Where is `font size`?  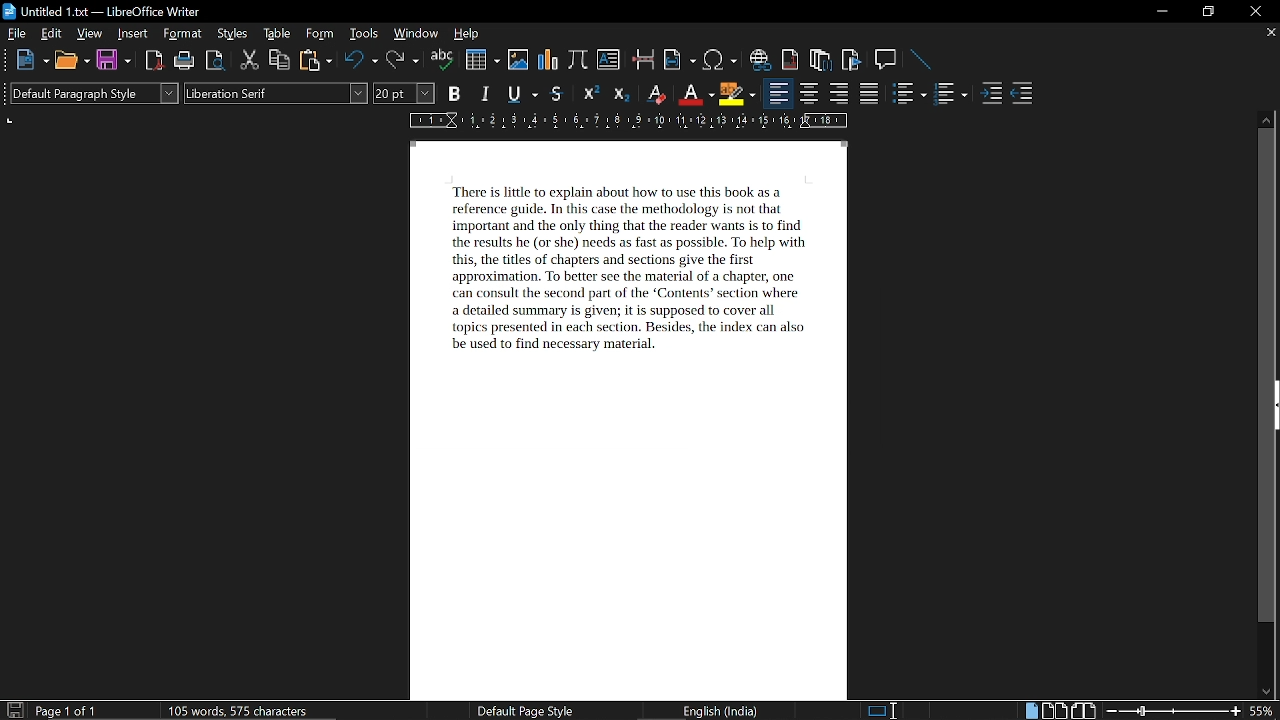
font size is located at coordinates (404, 93).